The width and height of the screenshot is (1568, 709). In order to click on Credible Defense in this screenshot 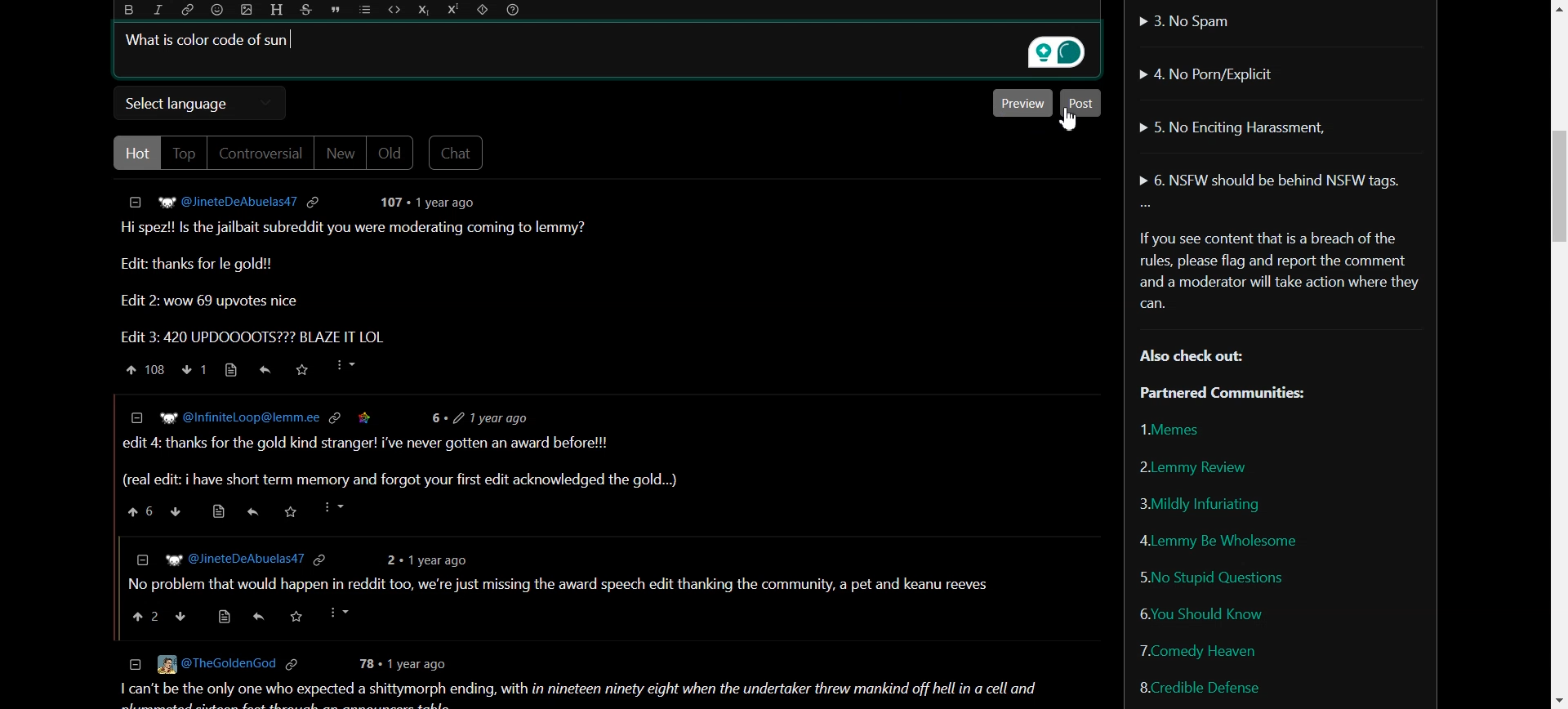, I will do `click(1199, 687)`.